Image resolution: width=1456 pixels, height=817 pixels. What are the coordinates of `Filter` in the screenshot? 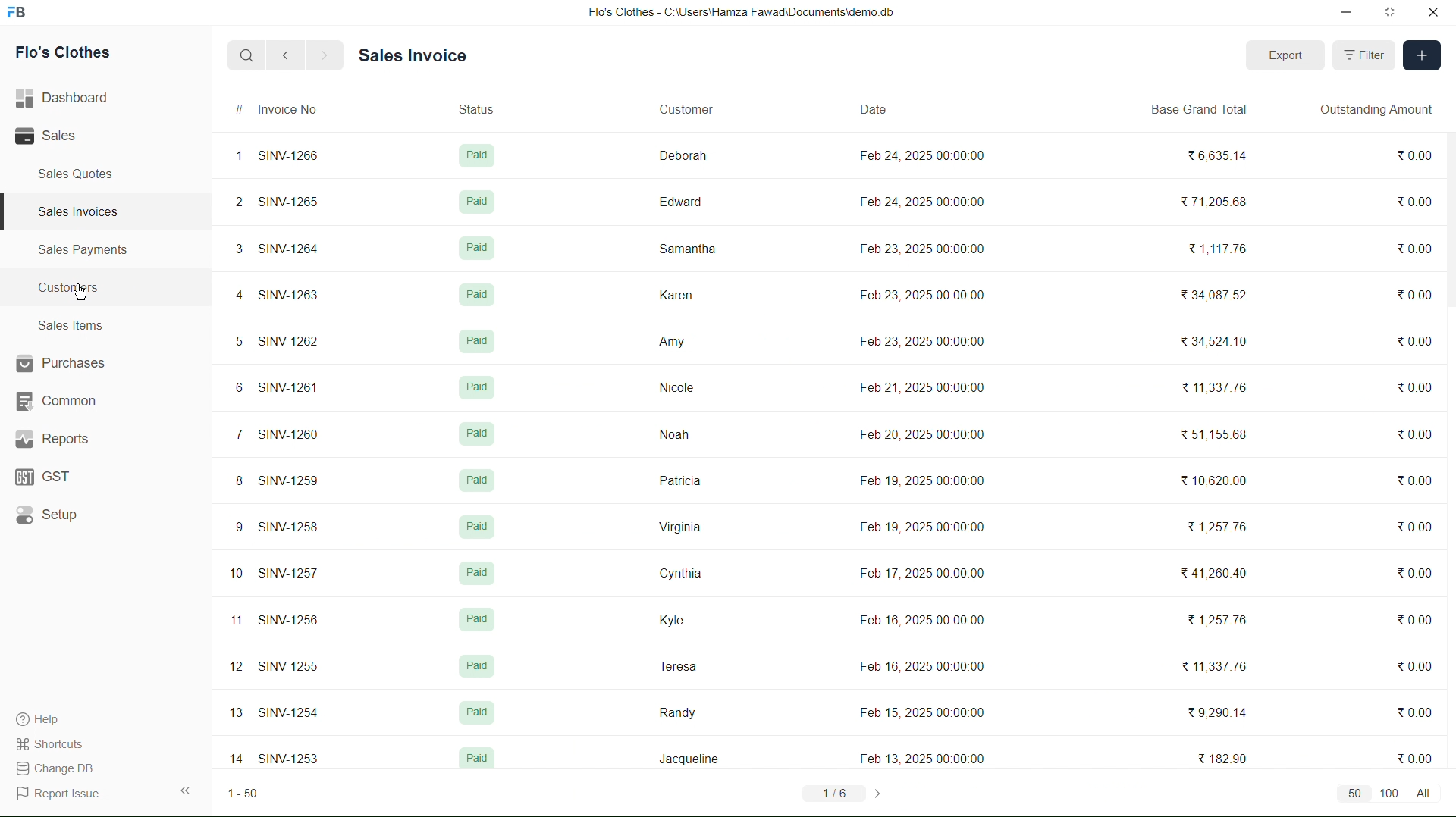 It's located at (1364, 55).